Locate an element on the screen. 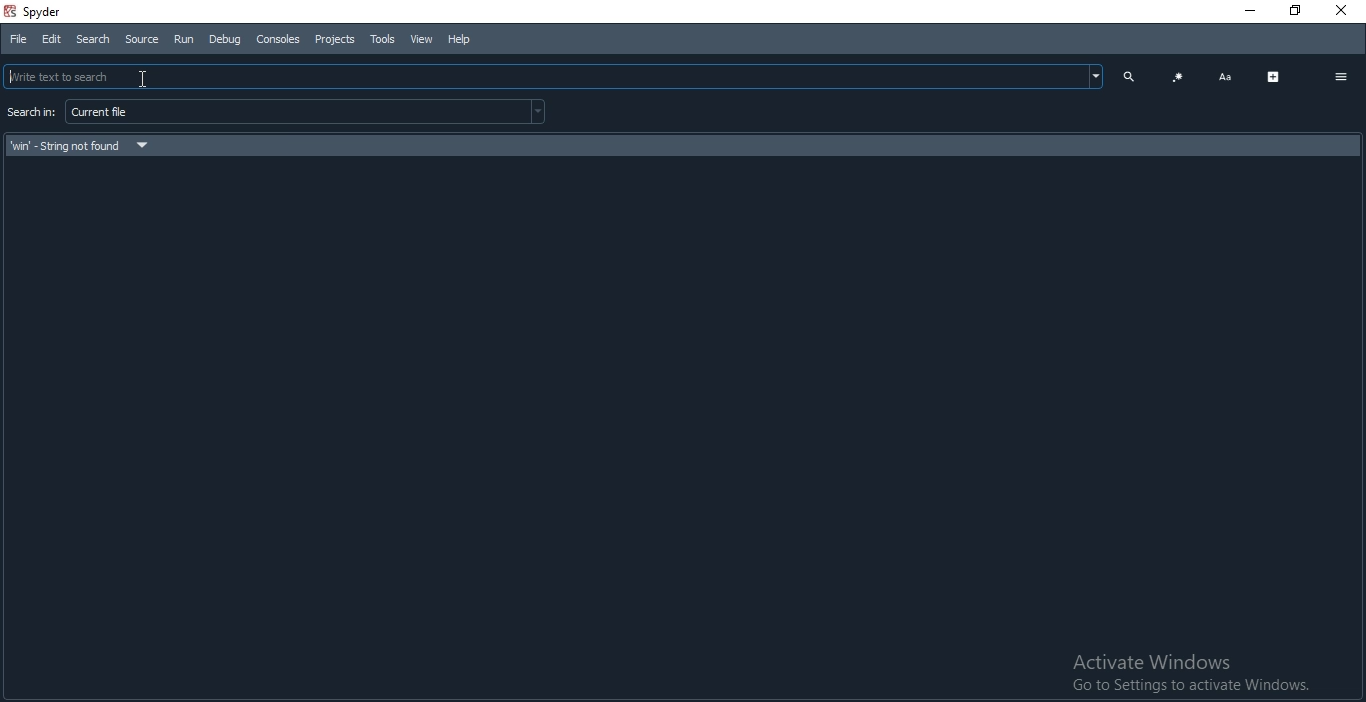 This screenshot has width=1366, height=702. Debug is located at coordinates (222, 39).